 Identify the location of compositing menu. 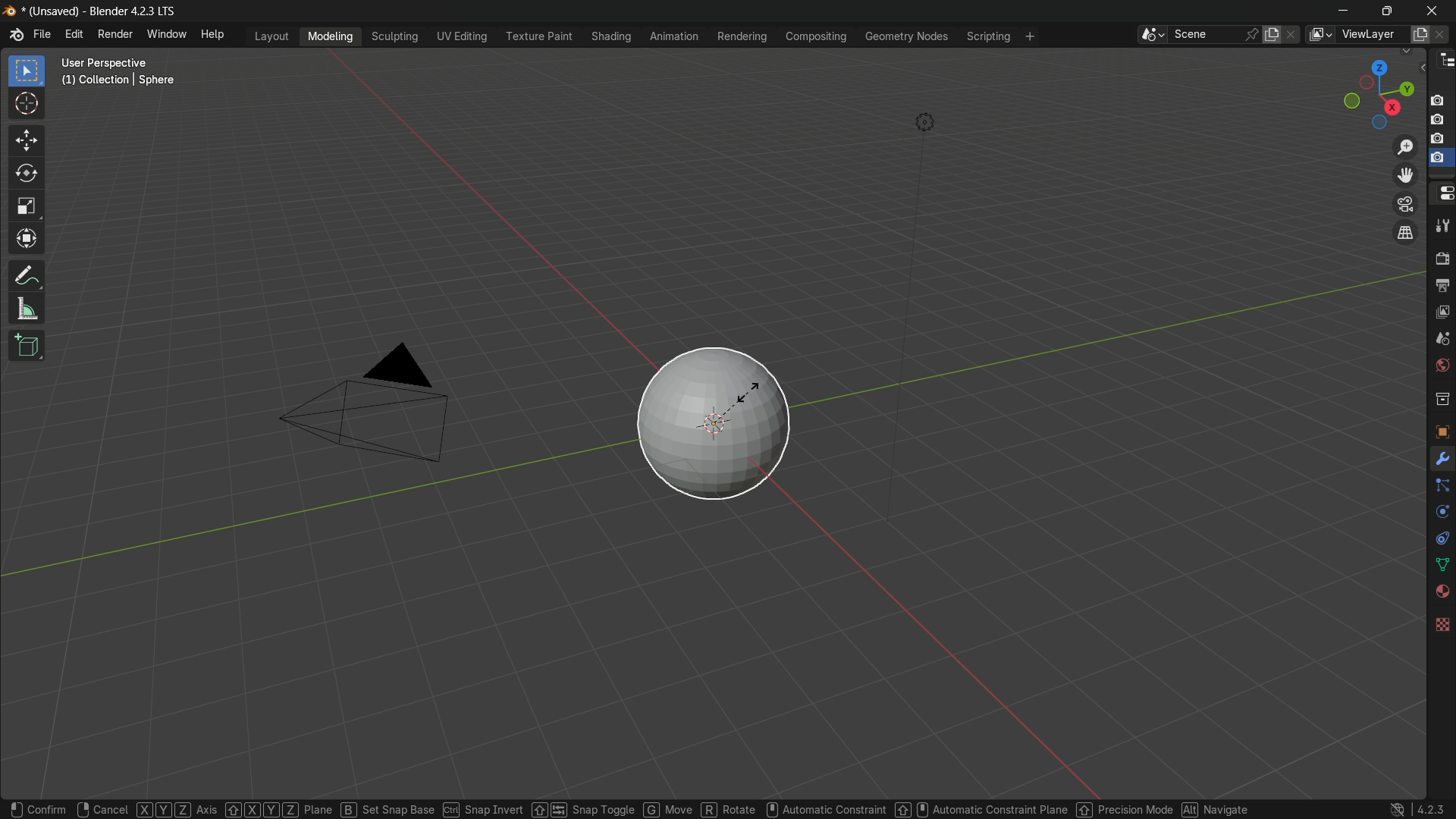
(817, 37).